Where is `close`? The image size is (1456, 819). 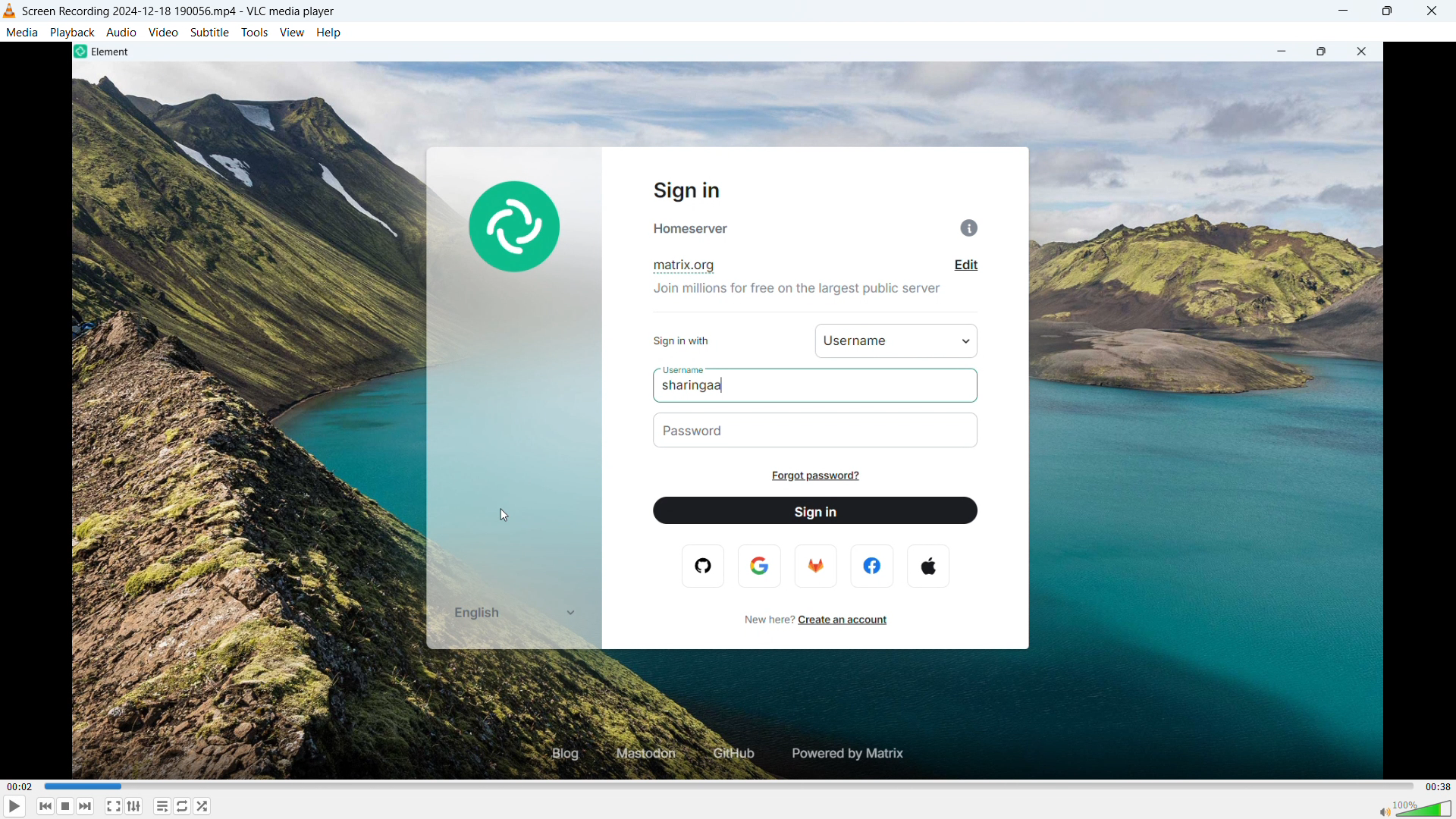
close is located at coordinates (1432, 11).